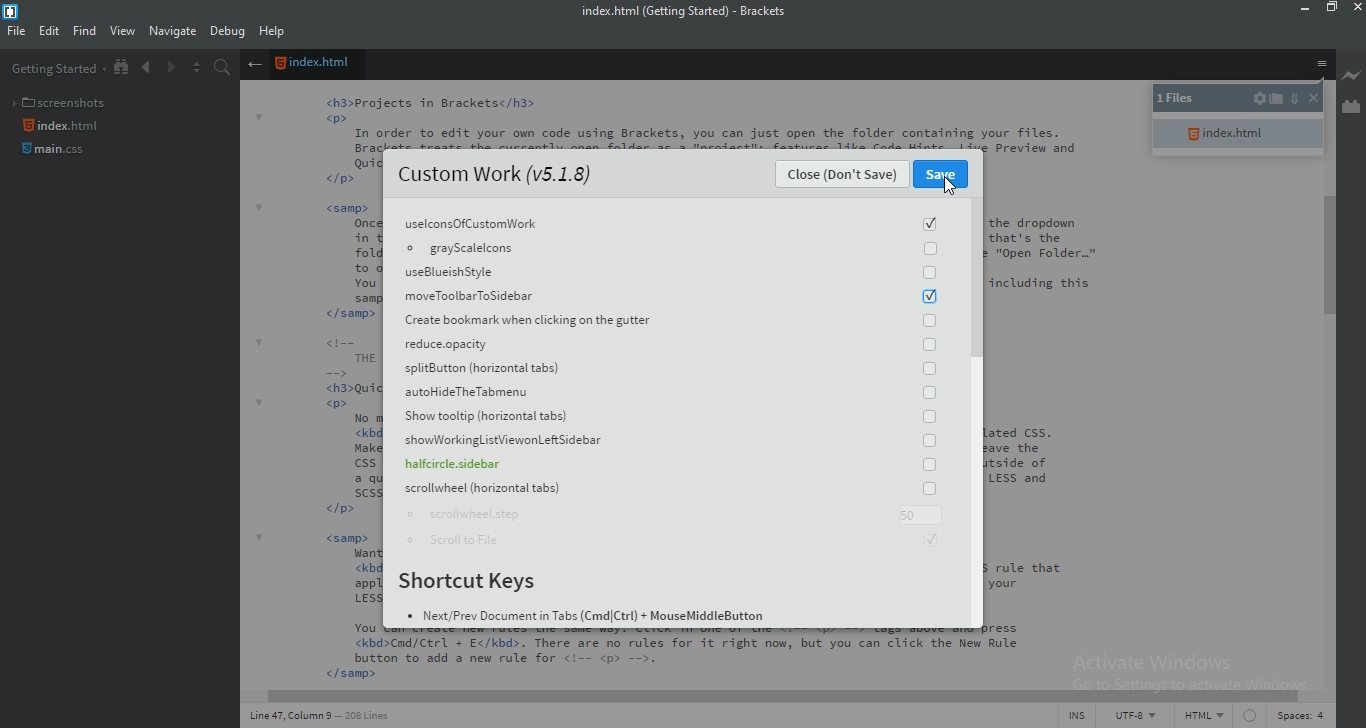 This screenshot has width=1366, height=728. Describe the element at coordinates (1248, 718) in the screenshot. I see `circle` at that location.